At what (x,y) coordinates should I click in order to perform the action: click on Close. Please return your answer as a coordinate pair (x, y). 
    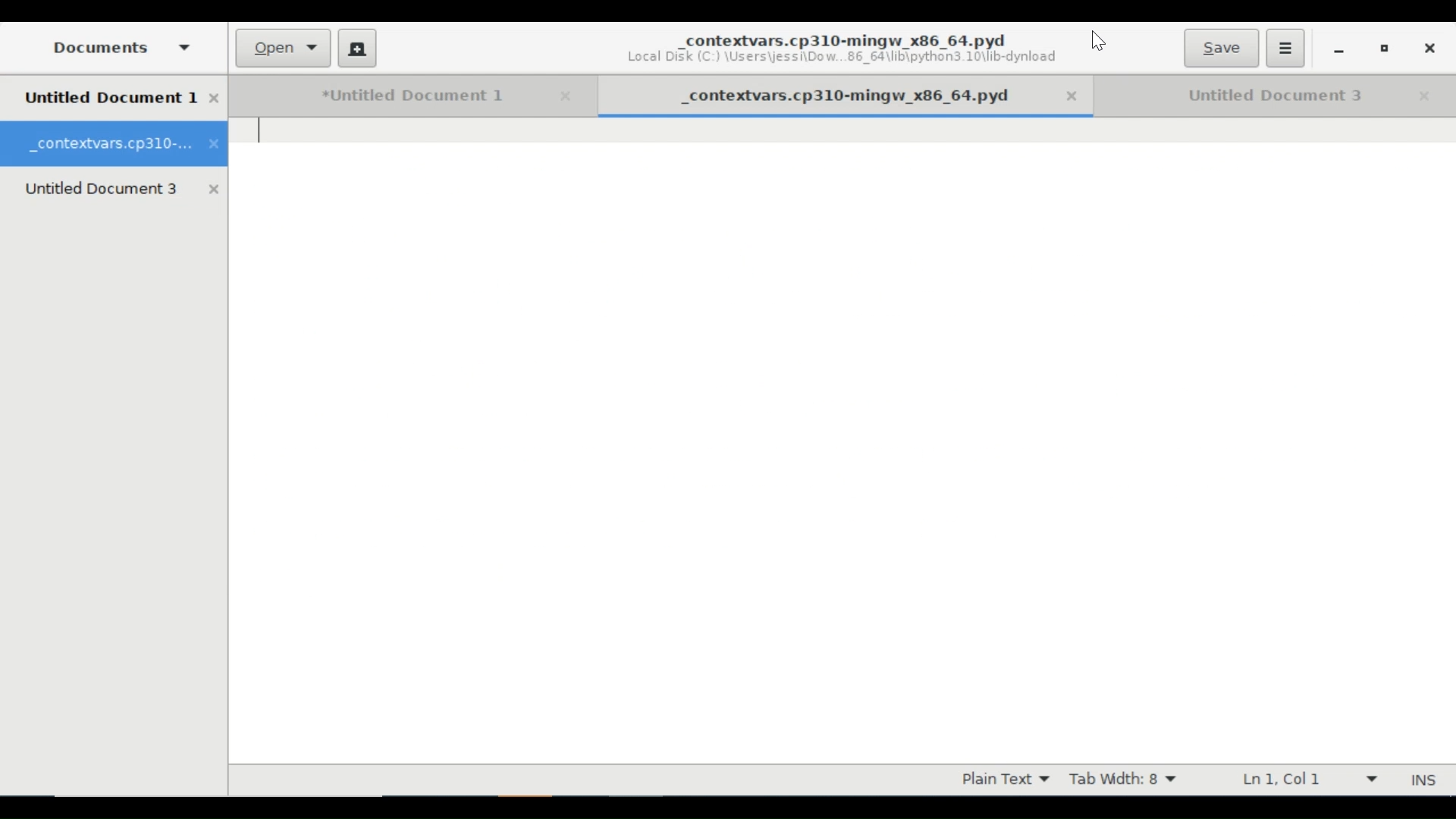
    Looking at the image, I should click on (1425, 96).